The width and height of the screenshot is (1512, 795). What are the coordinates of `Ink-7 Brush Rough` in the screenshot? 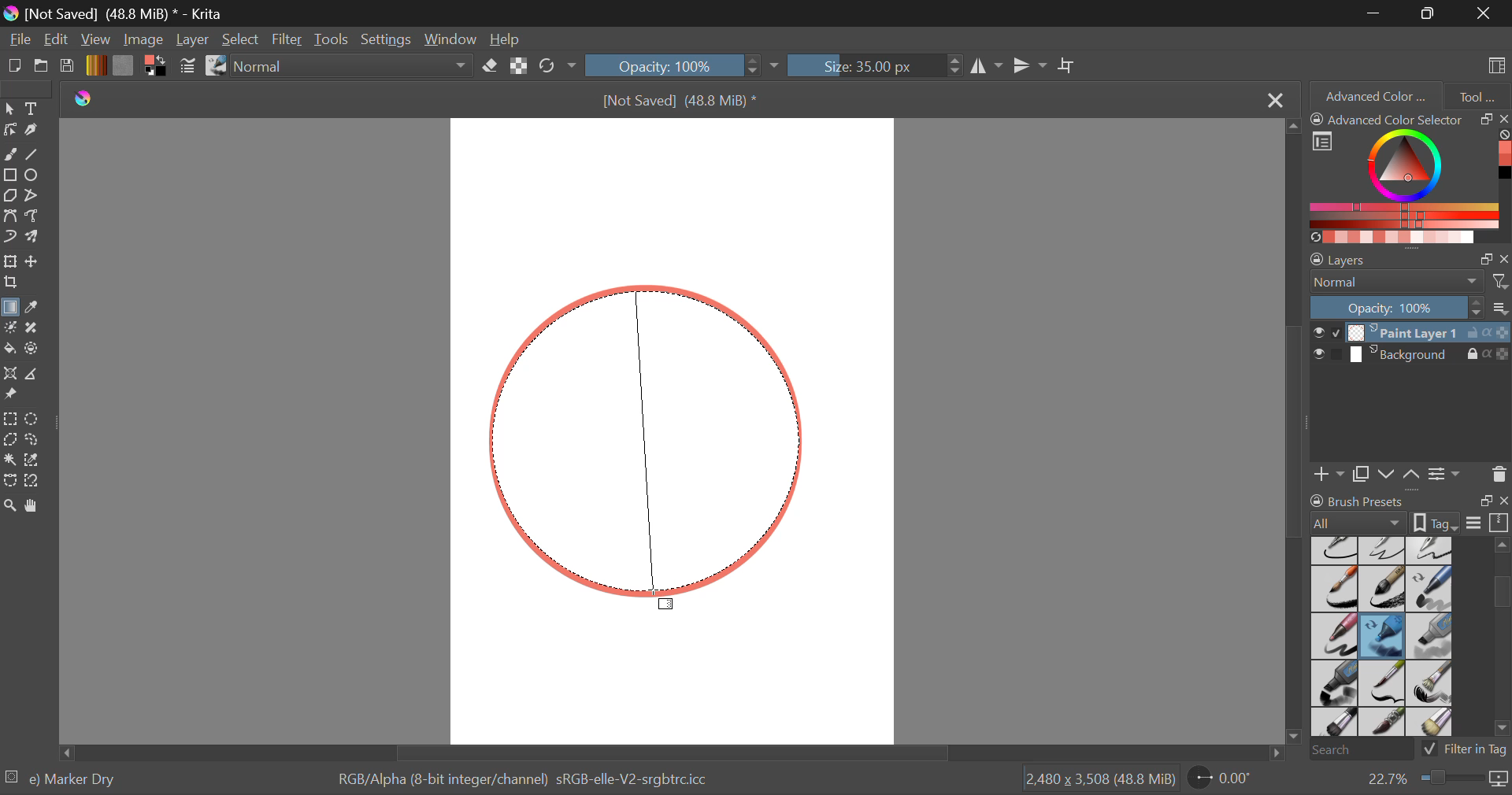 It's located at (1332, 590).